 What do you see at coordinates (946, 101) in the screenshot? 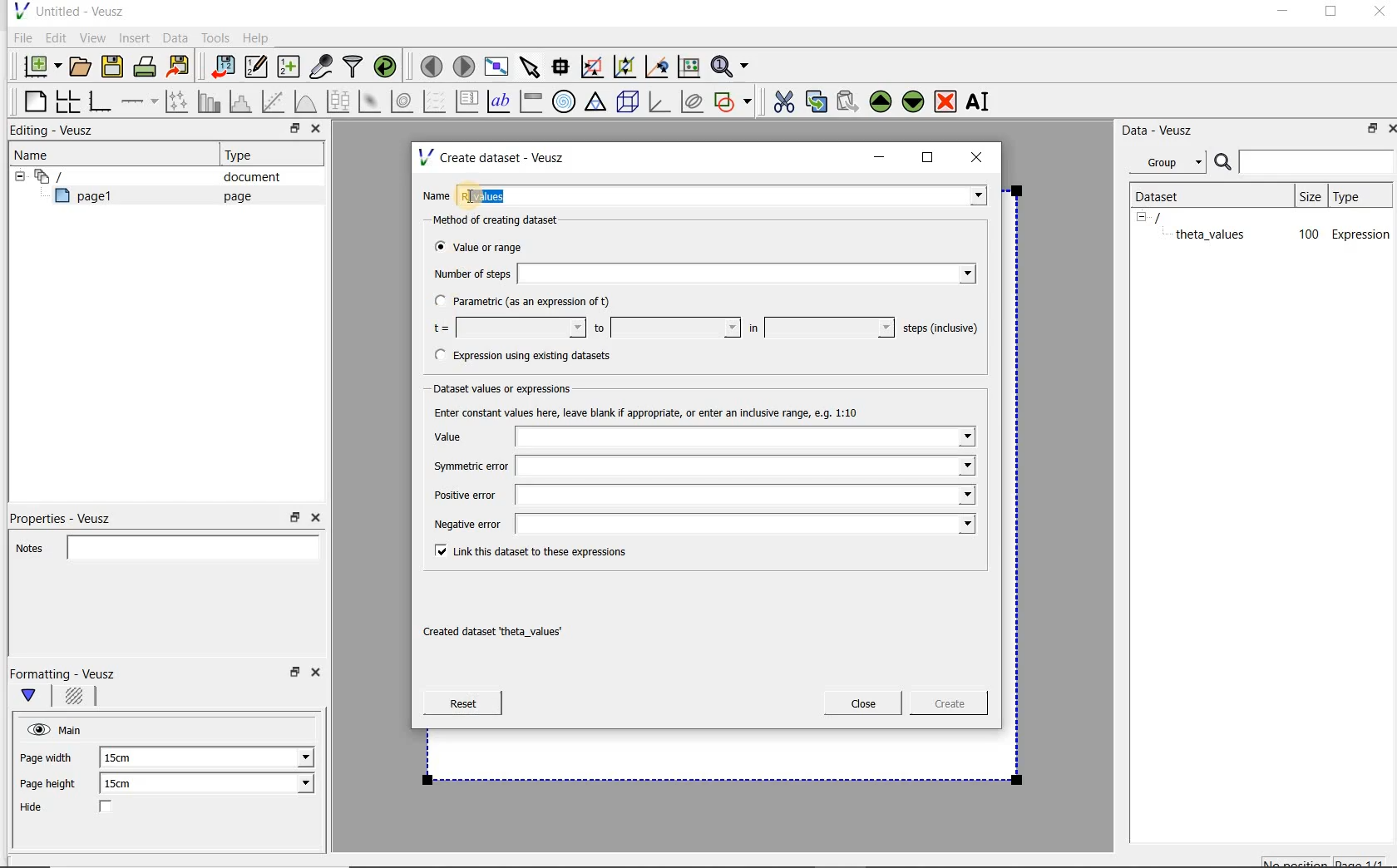
I see `remove the selected widget` at bounding box center [946, 101].